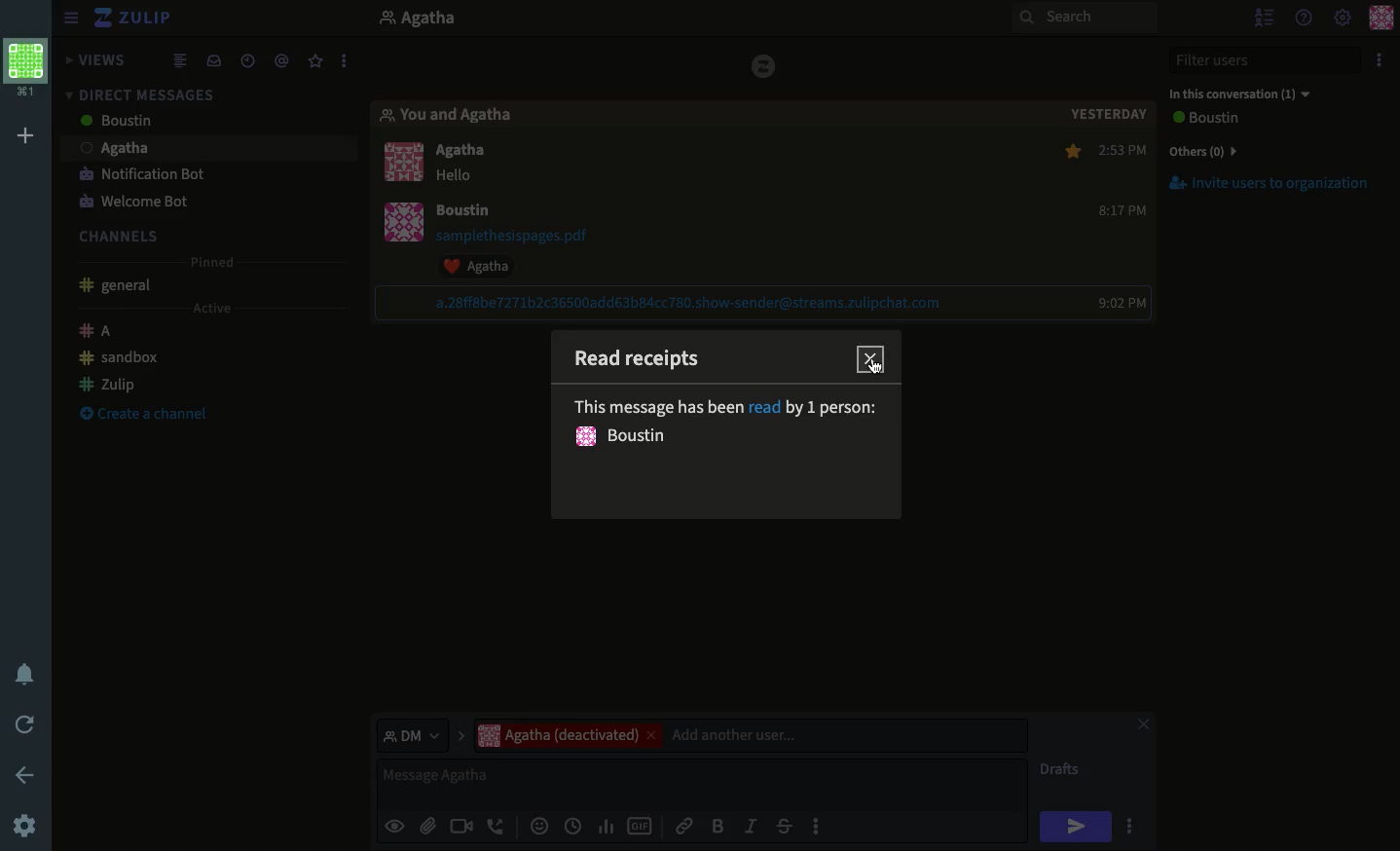 This screenshot has width=1400, height=851. Describe the element at coordinates (21, 773) in the screenshot. I see `Back` at that location.